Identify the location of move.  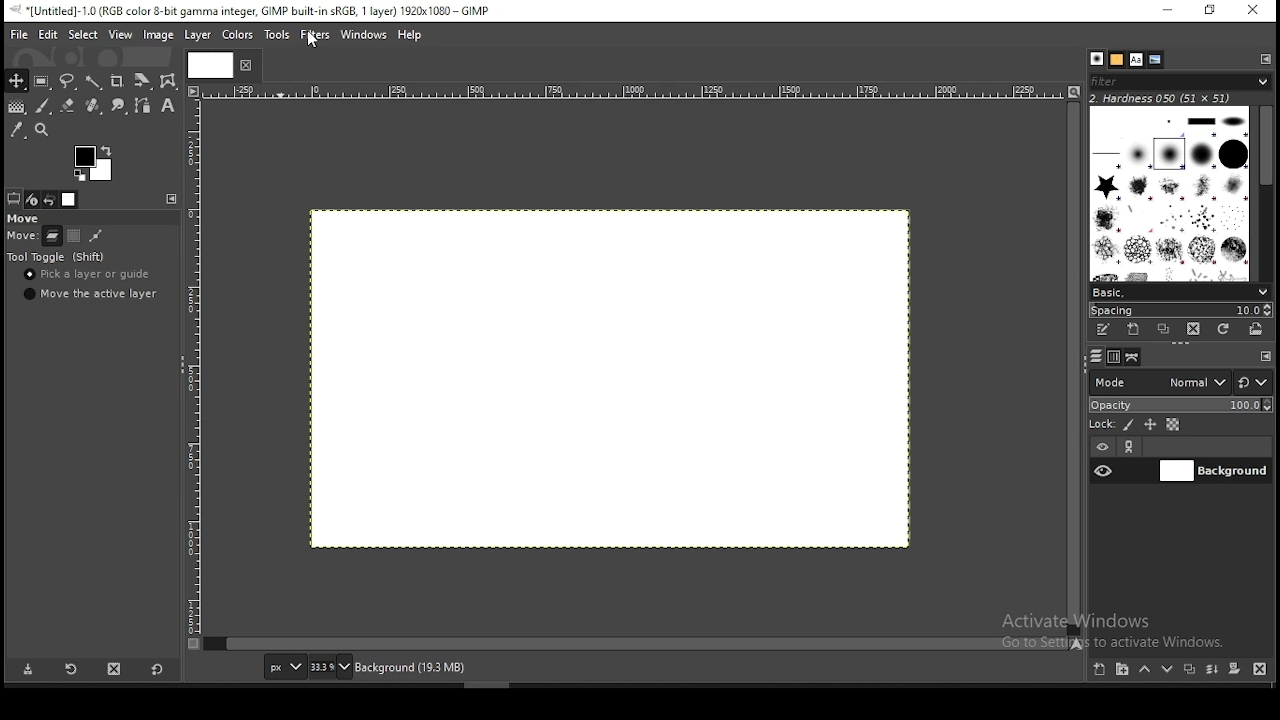
(19, 237).